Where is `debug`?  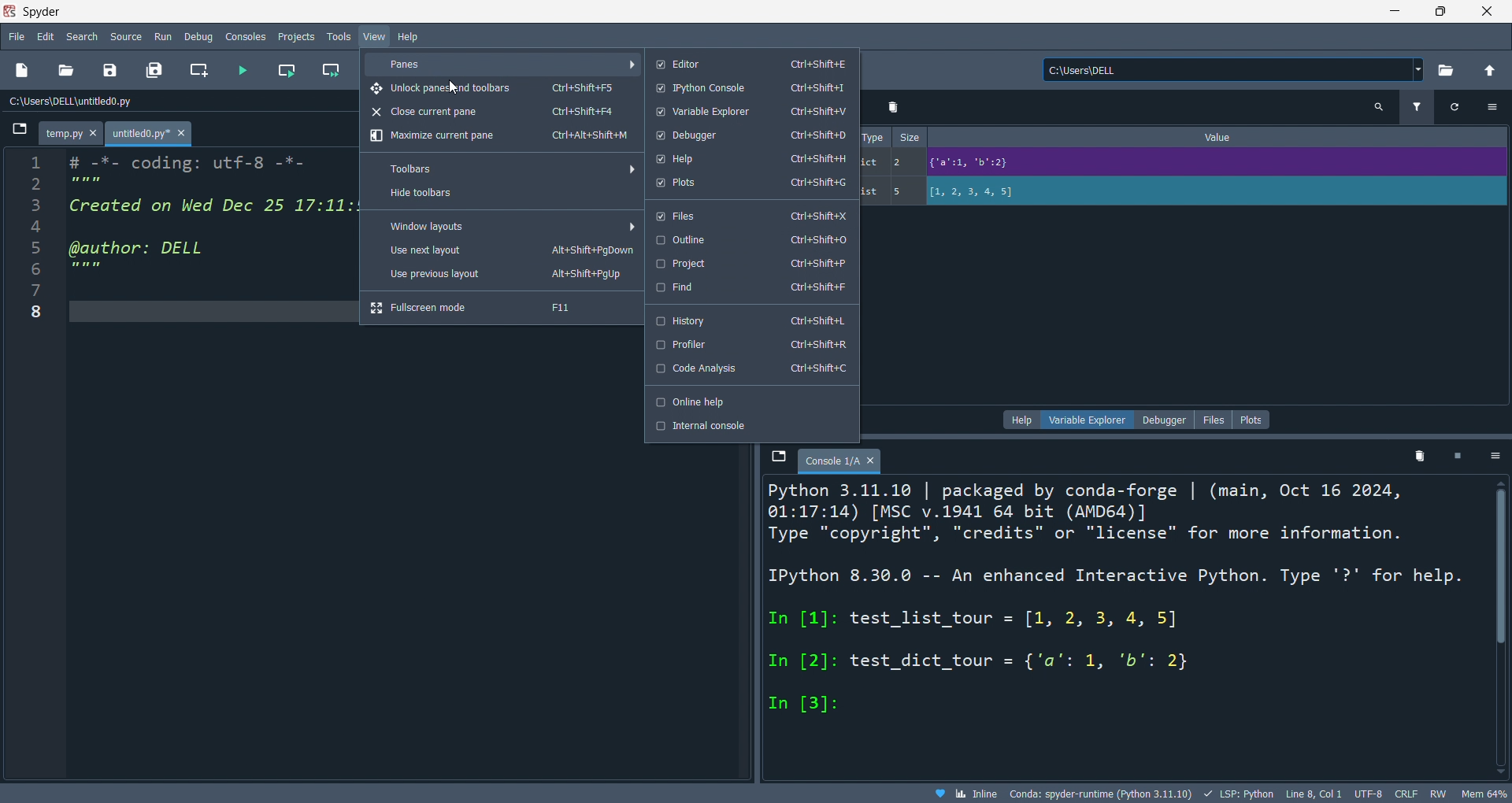 debug is located at coordinates (201, 36).